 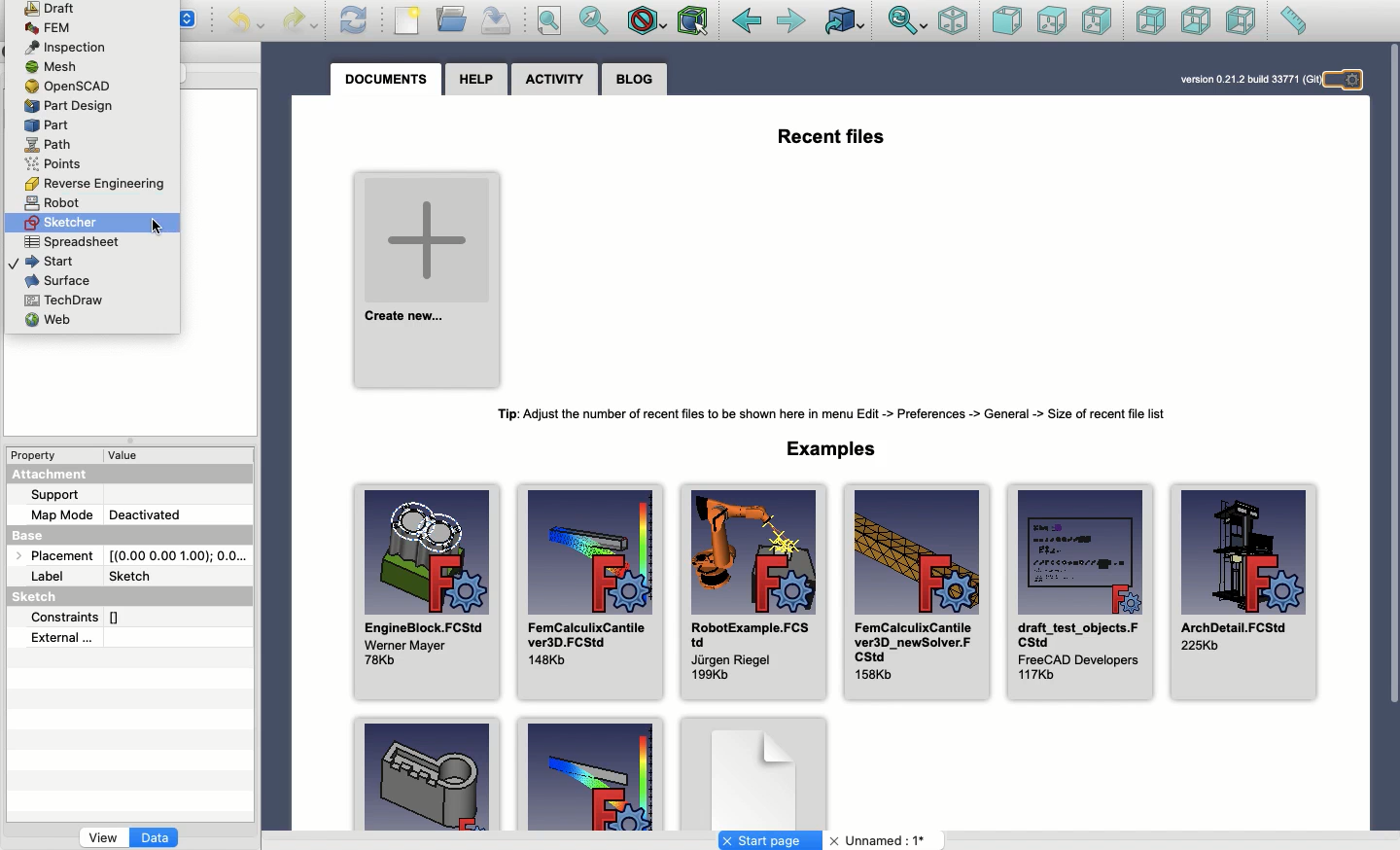 What do you see at coordinates (833, 138) in the screenshot?
I see `Recent files` at bounding box center [833, 138].